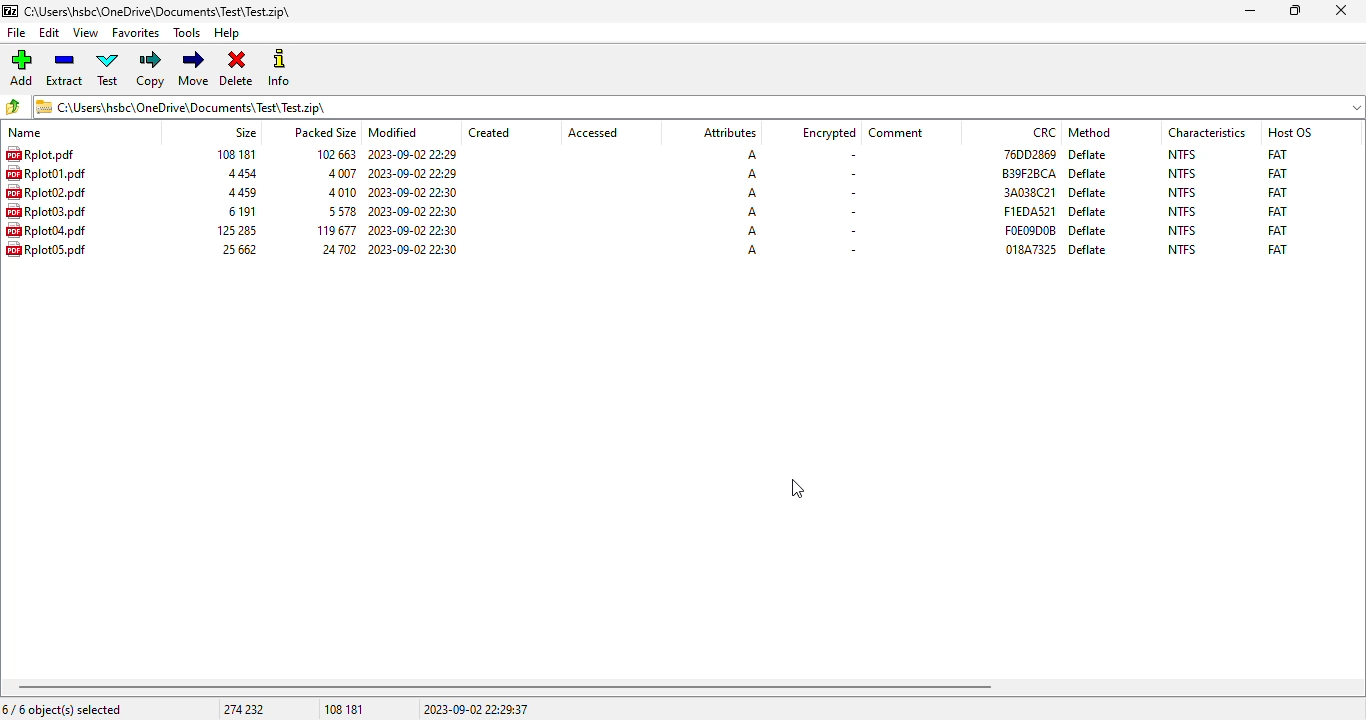  Describe the element at coordinates (412, 155) in the screenshot. I see `modified date & time` at that location.